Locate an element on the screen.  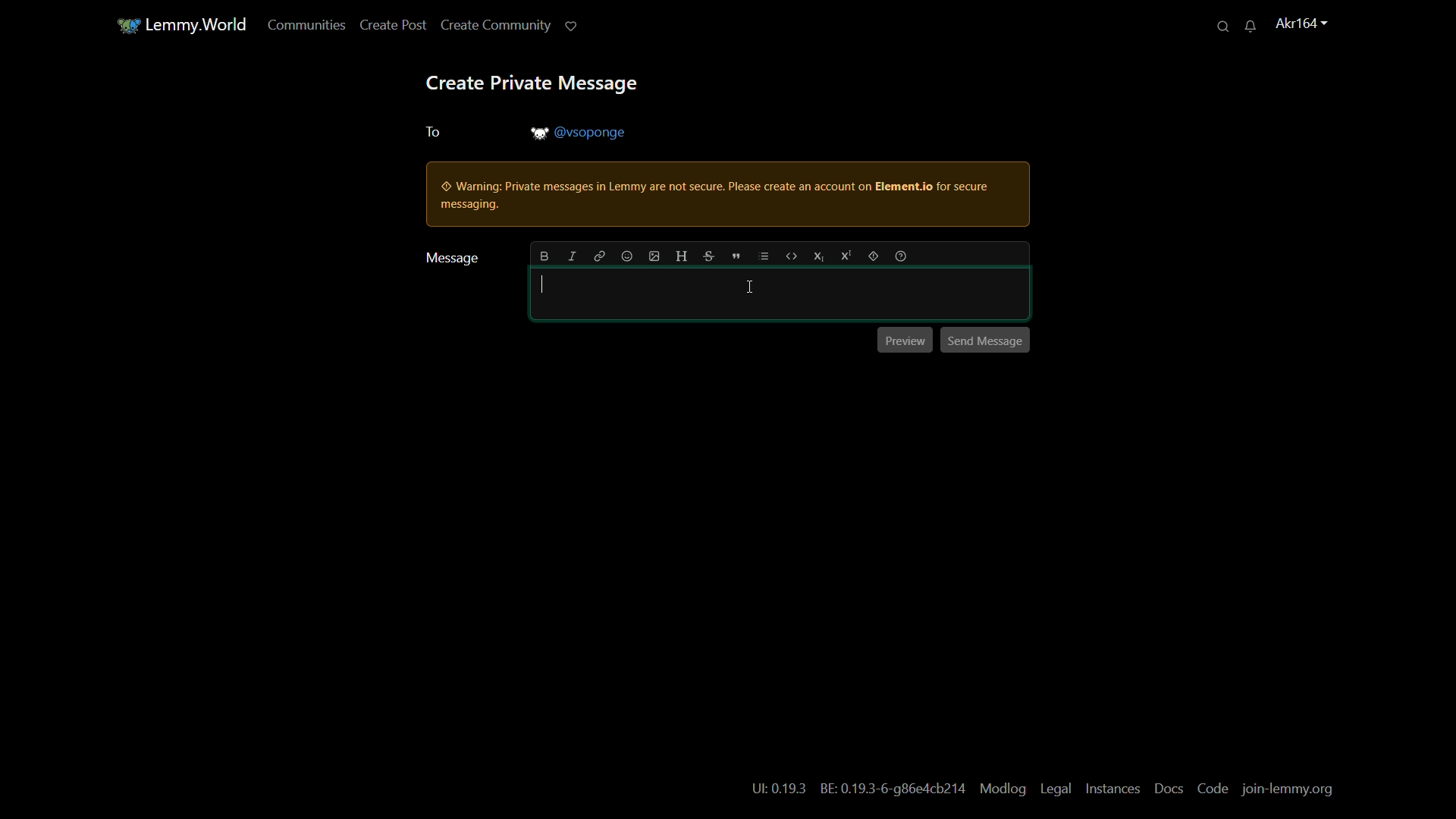
spoiler is located at coordinates (876, 256).